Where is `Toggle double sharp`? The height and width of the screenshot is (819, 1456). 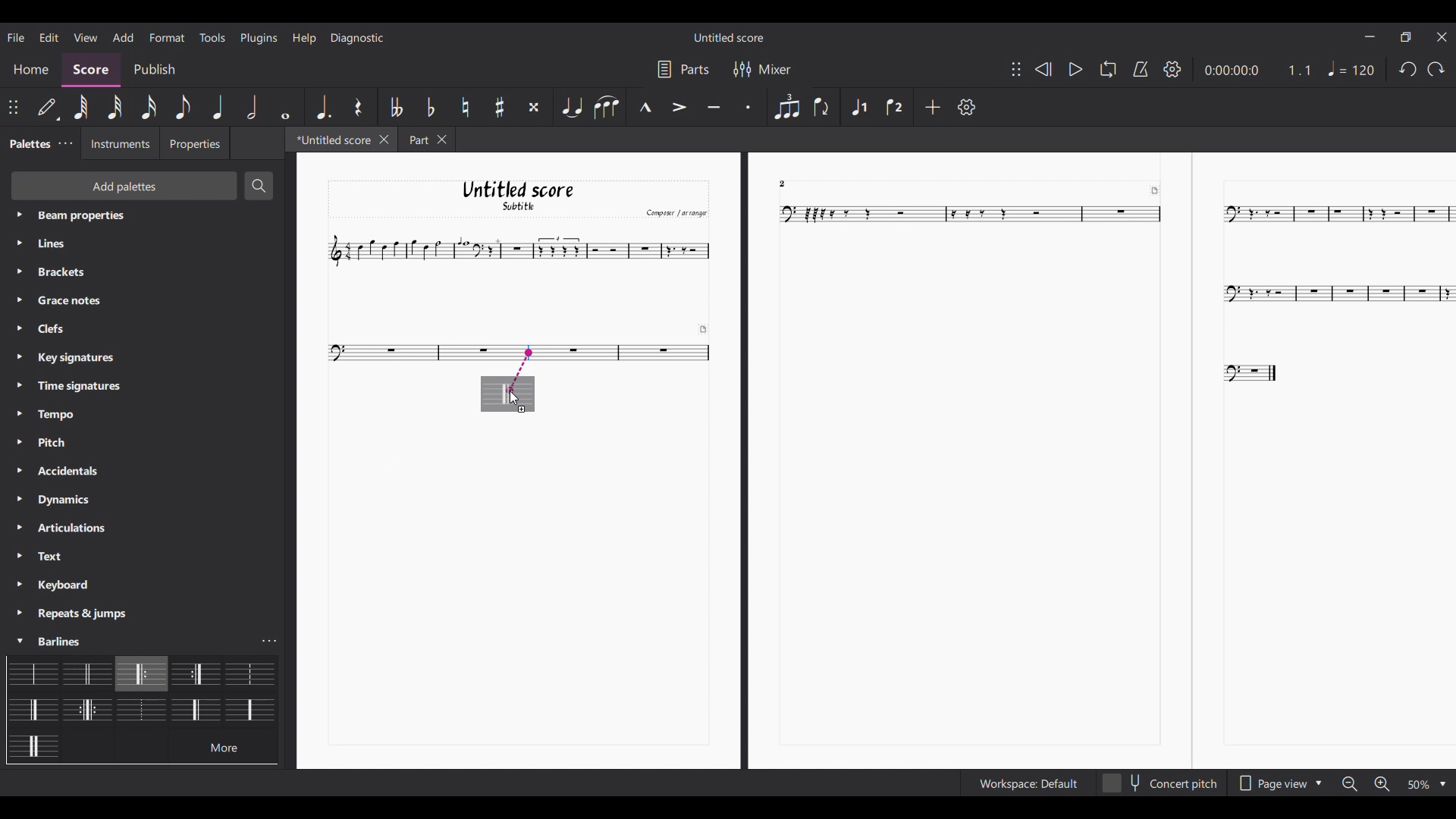
Toggle double sharp is located at coordinates (535, 107).